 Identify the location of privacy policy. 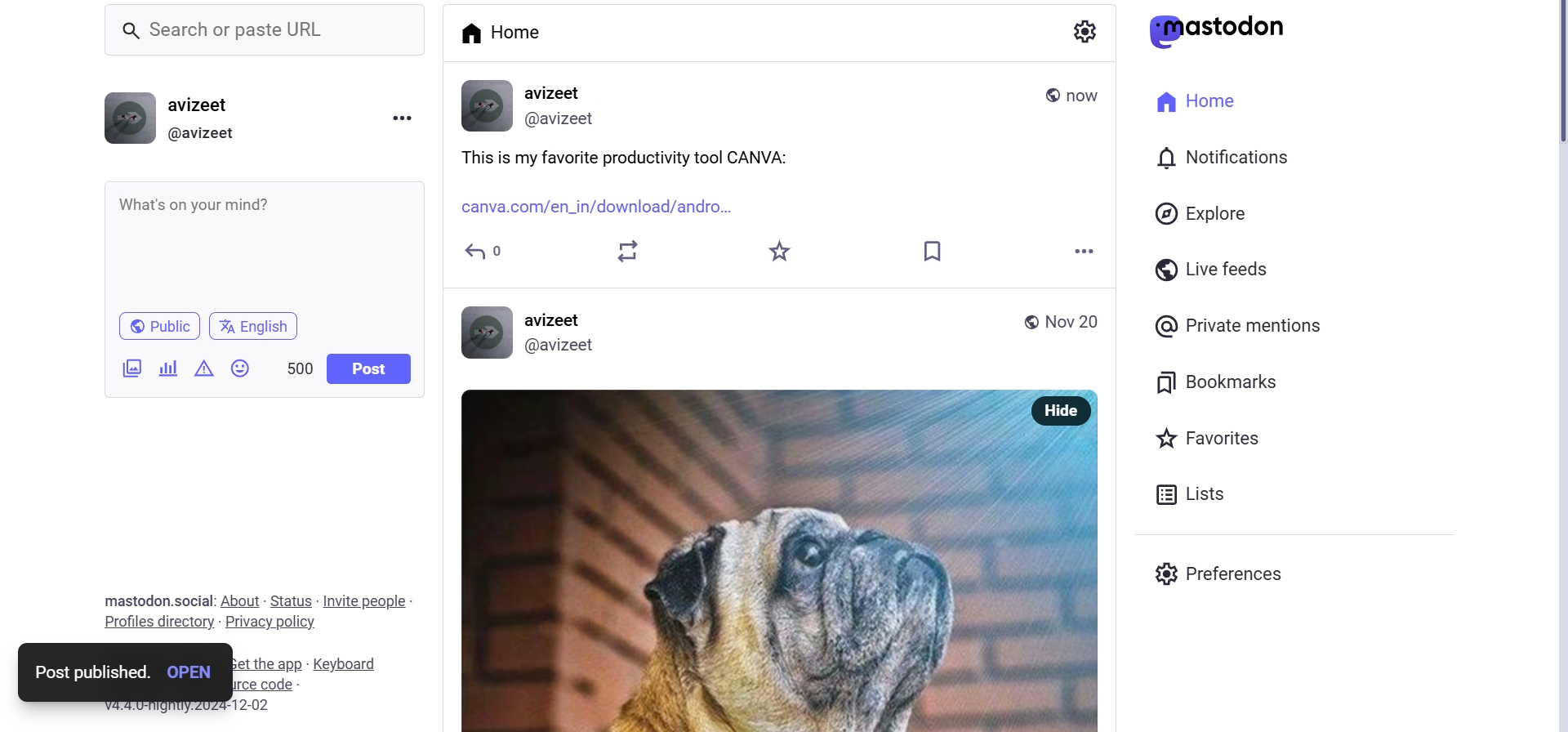
(274, 622).